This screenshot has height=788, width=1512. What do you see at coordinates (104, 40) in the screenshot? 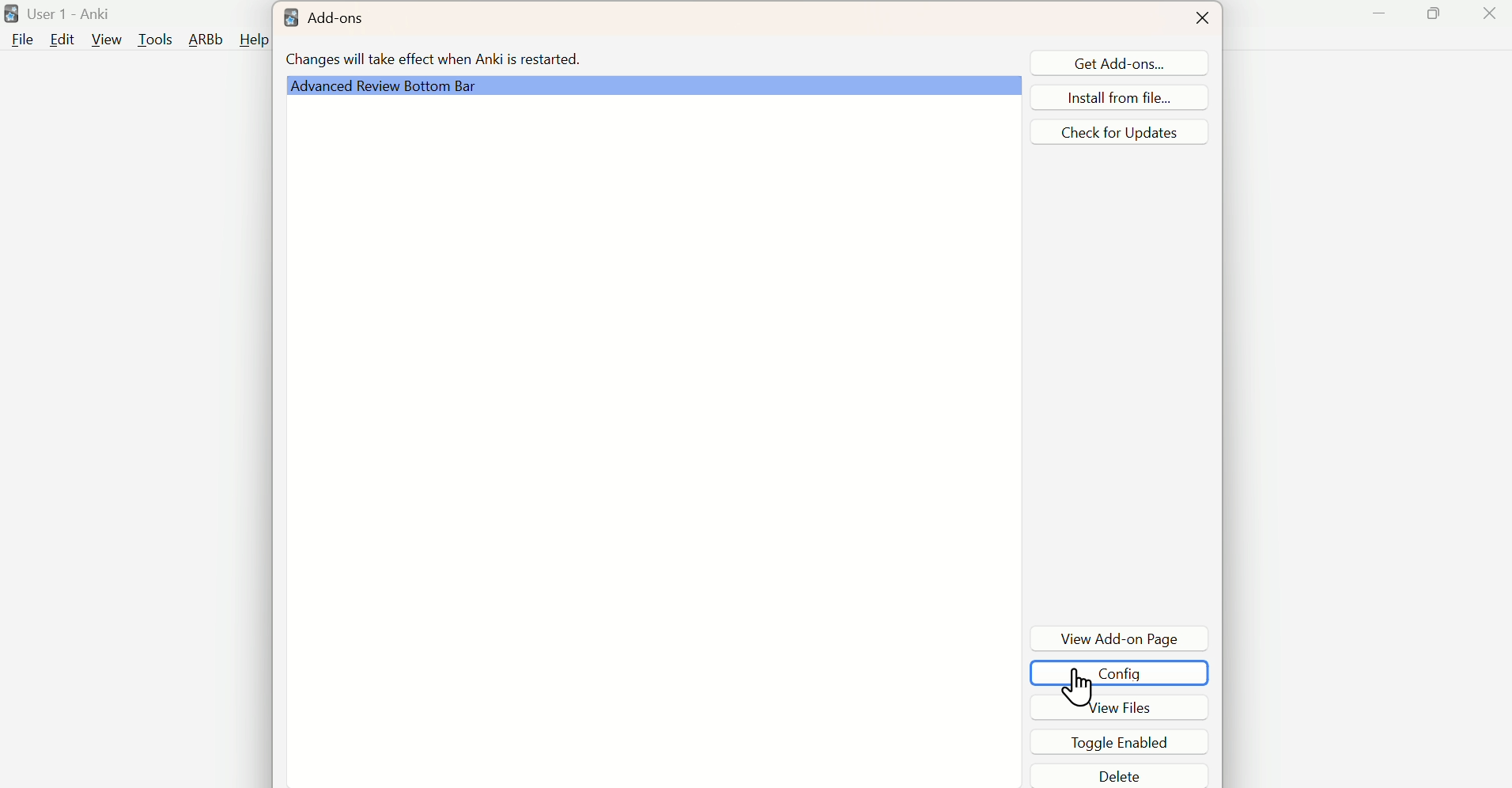
I see `View` at bounding box center [104, 40].